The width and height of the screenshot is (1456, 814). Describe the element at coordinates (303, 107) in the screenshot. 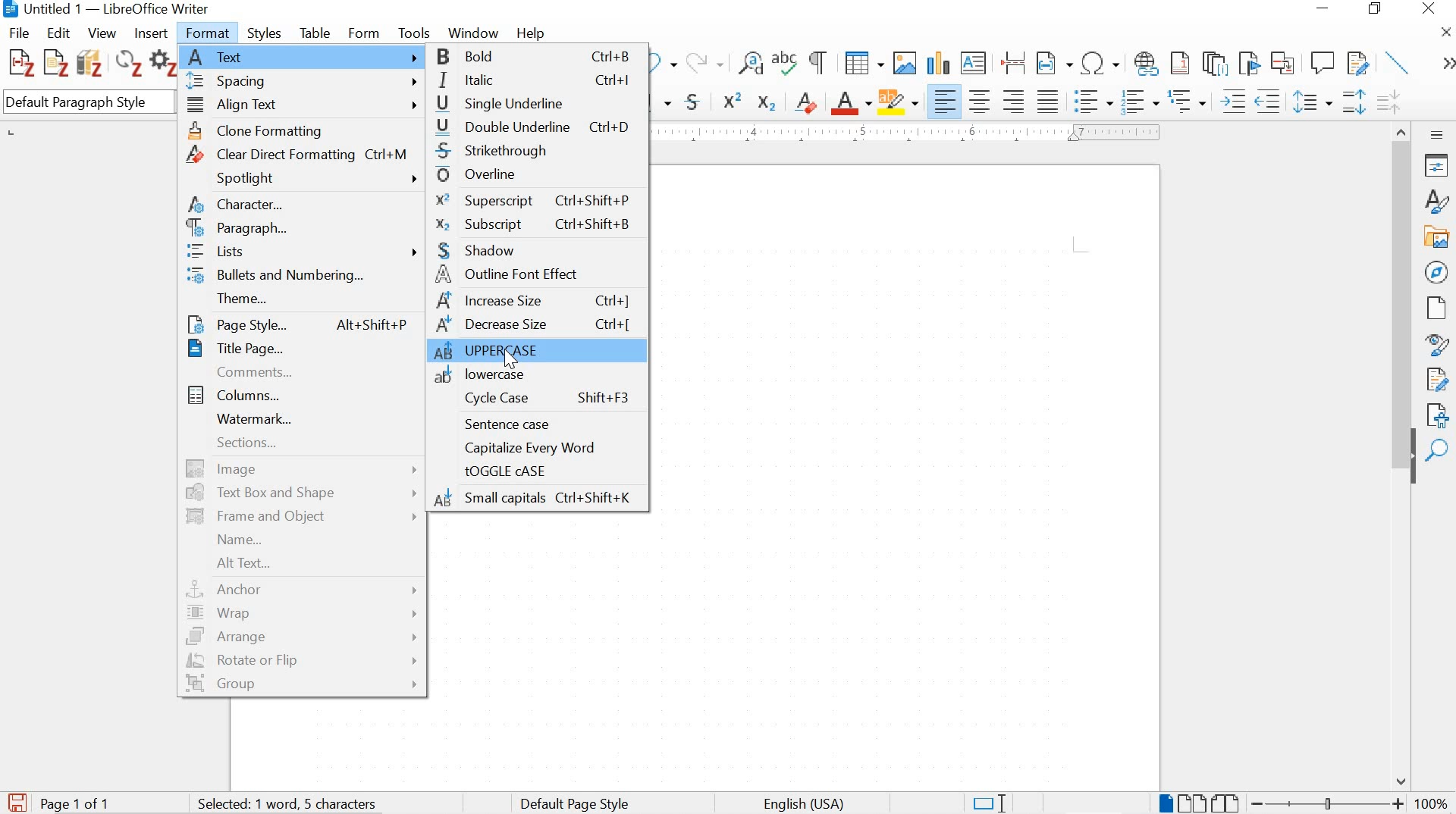

I see `align text` at that location.